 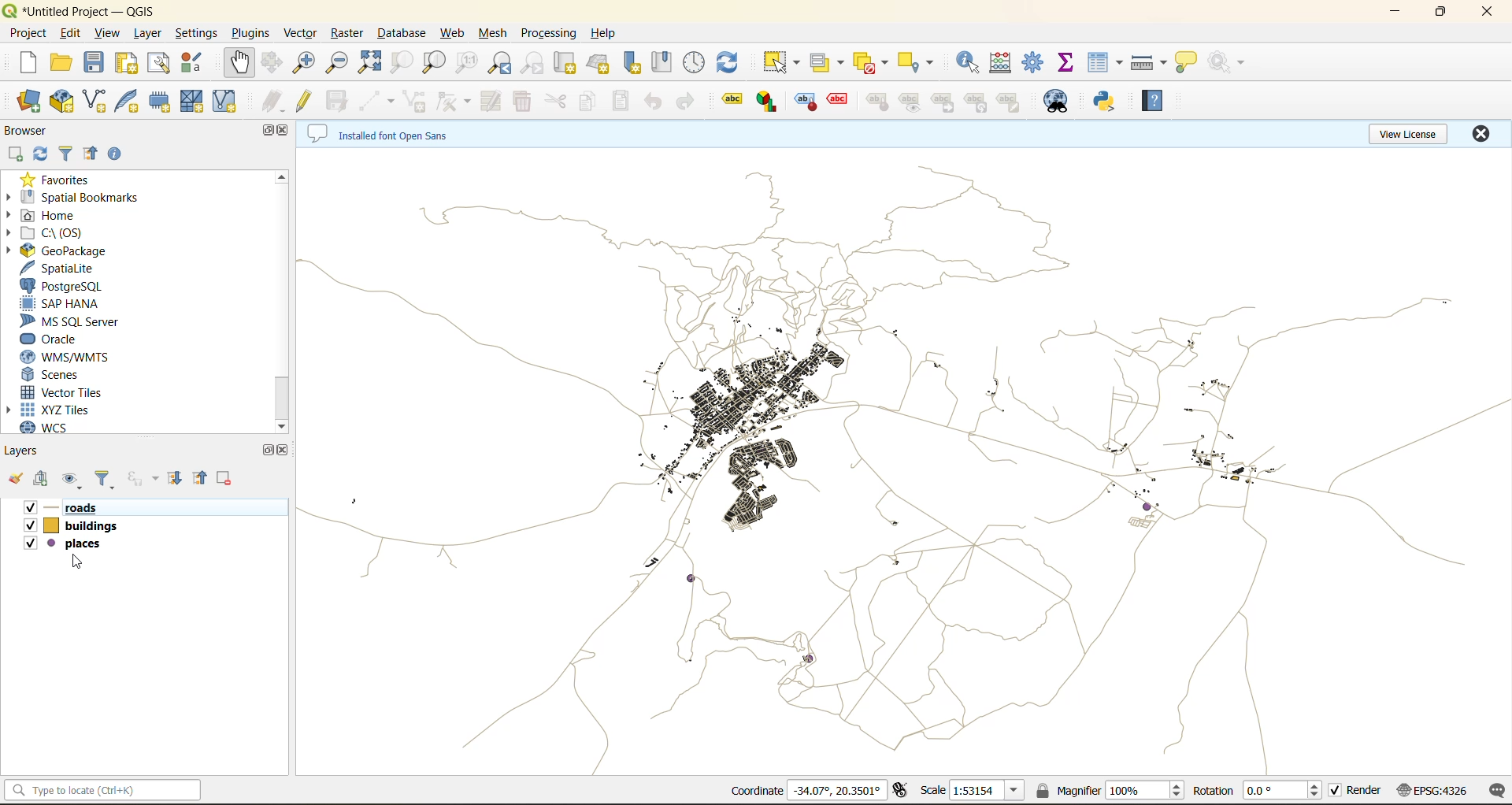 What do you see at coordinates (378, 101) in the screenshot?
I see `digitize` at bounding box center [378, 101].